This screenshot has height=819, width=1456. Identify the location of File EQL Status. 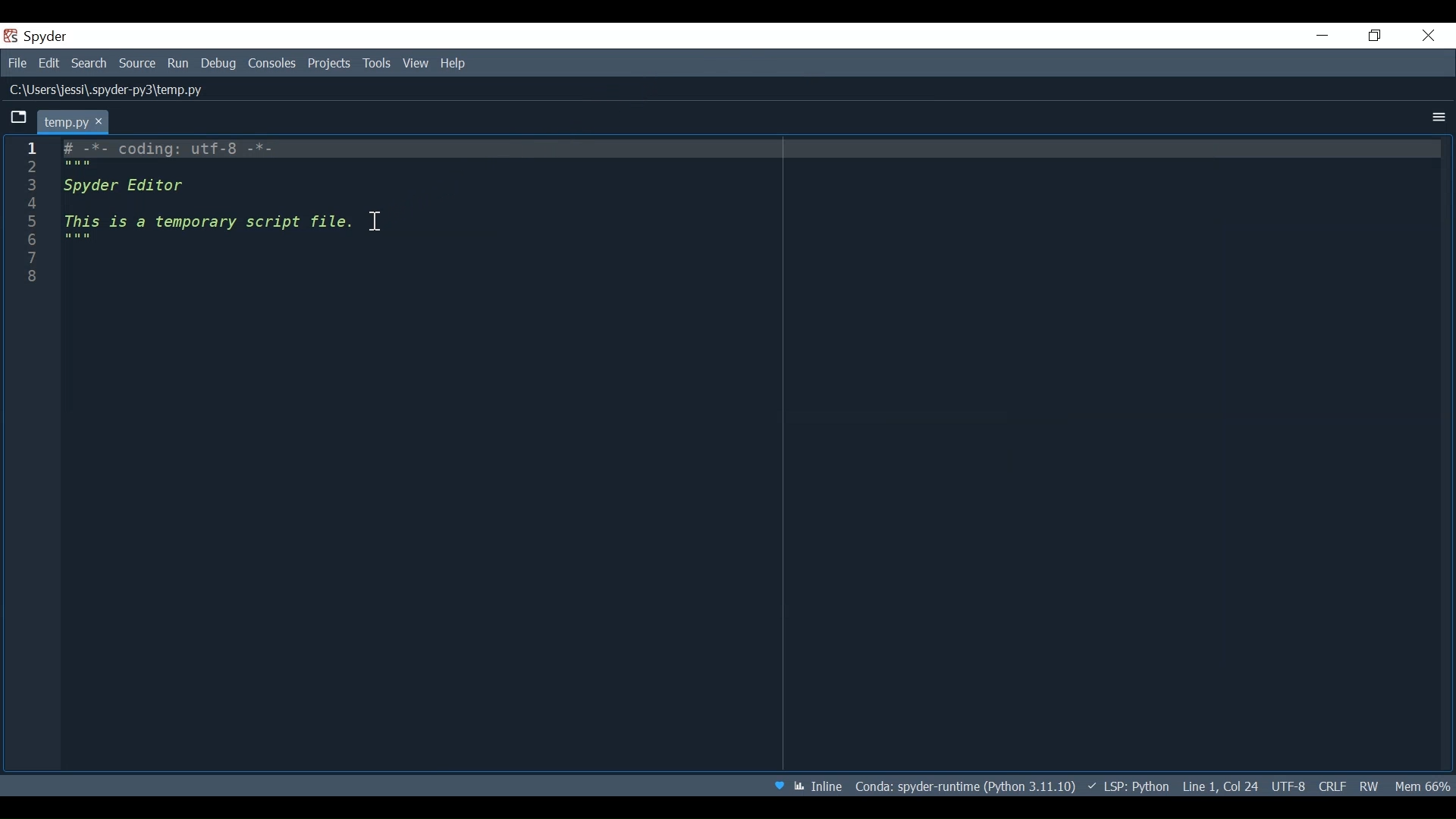
(1332, 786).